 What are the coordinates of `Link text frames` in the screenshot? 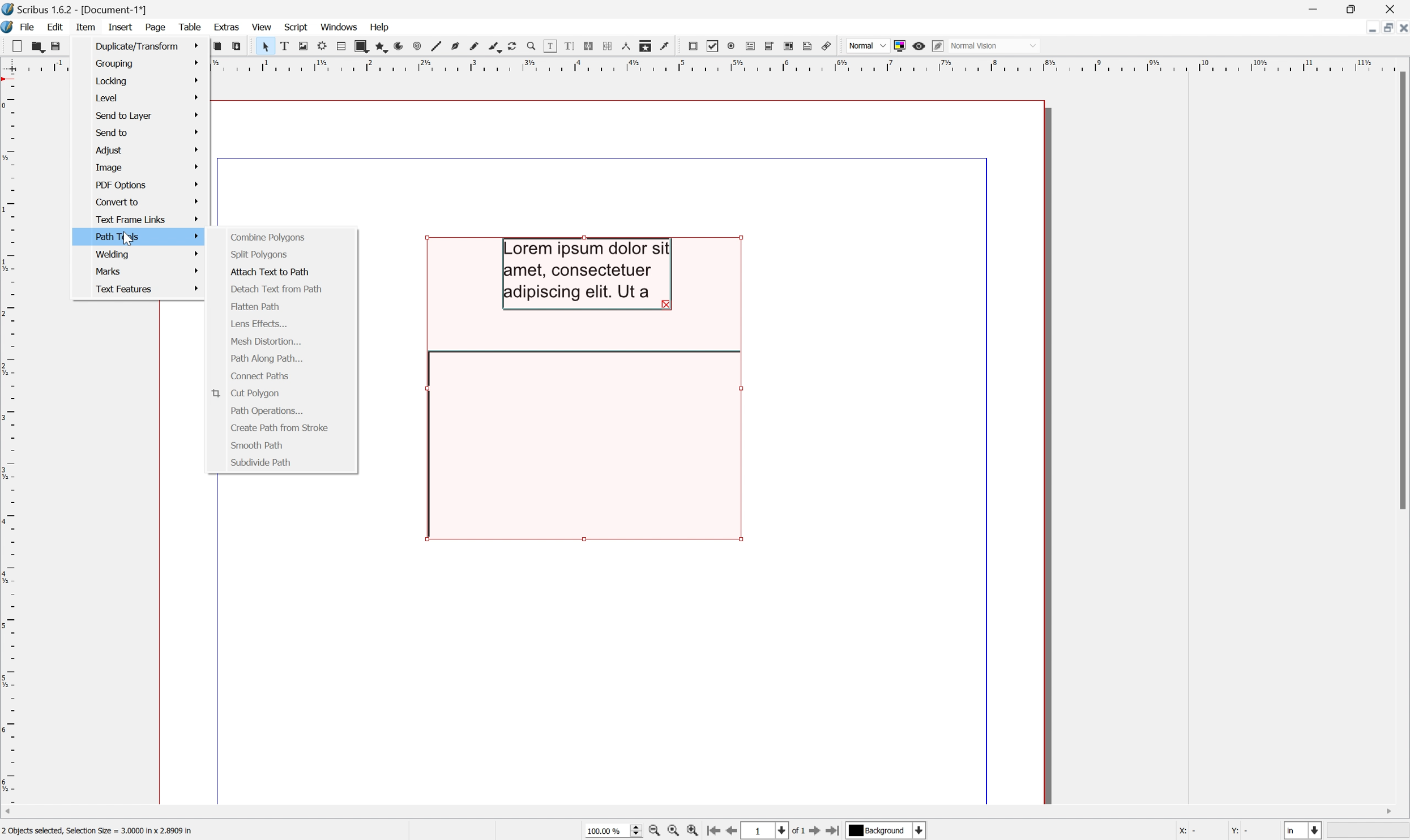 It's located at (587, 44).